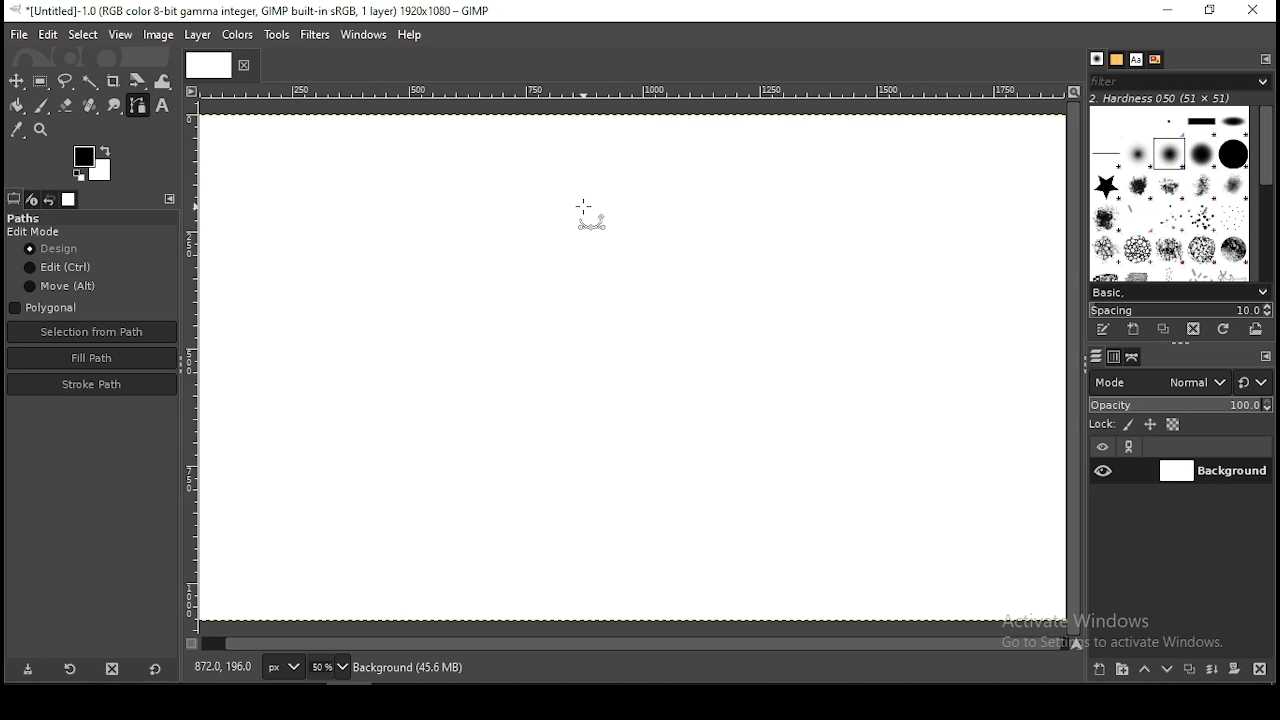  I want to click on file, so click(19, 35).